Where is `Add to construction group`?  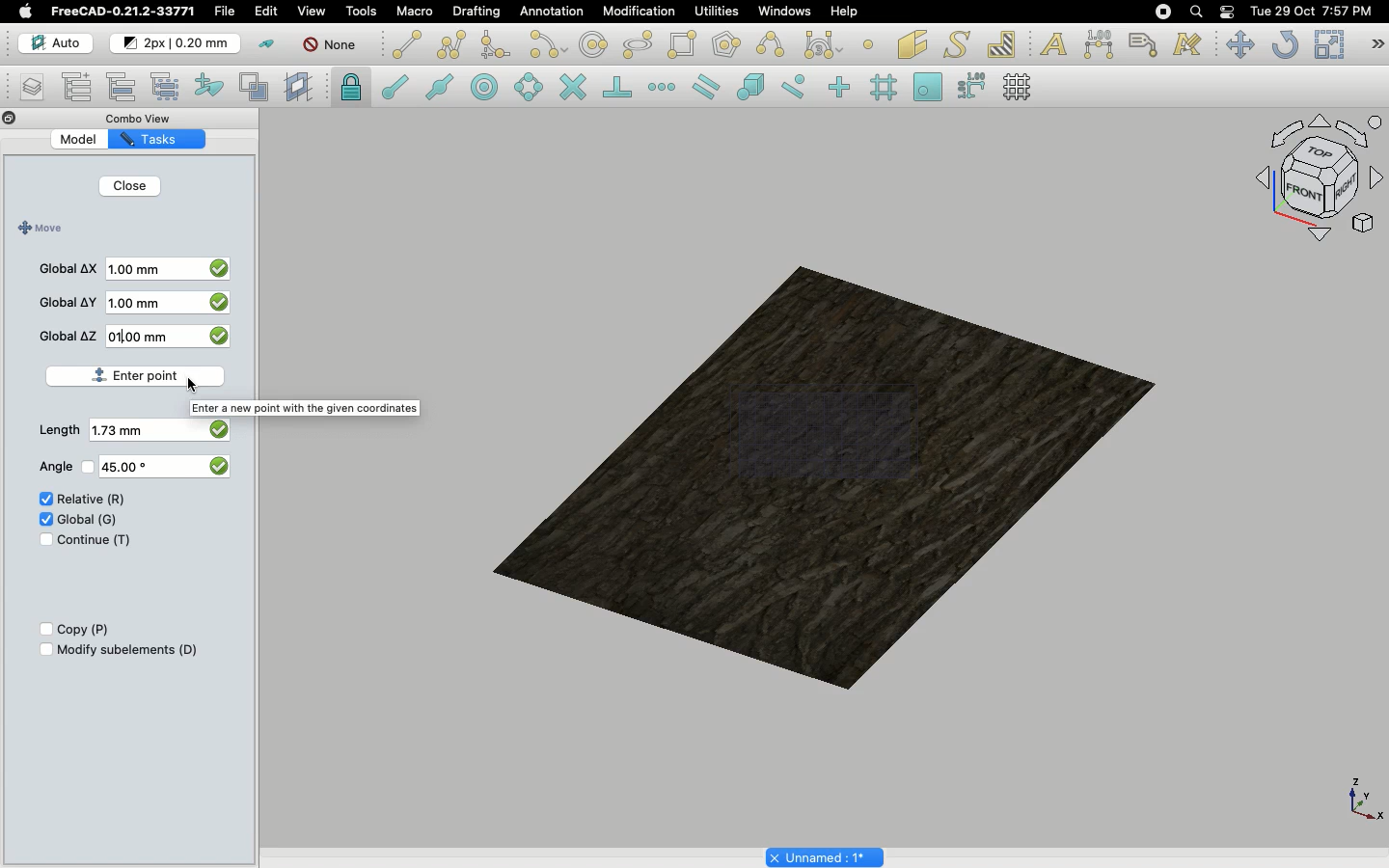
Add to construction group is located at coordinates (210, 84).